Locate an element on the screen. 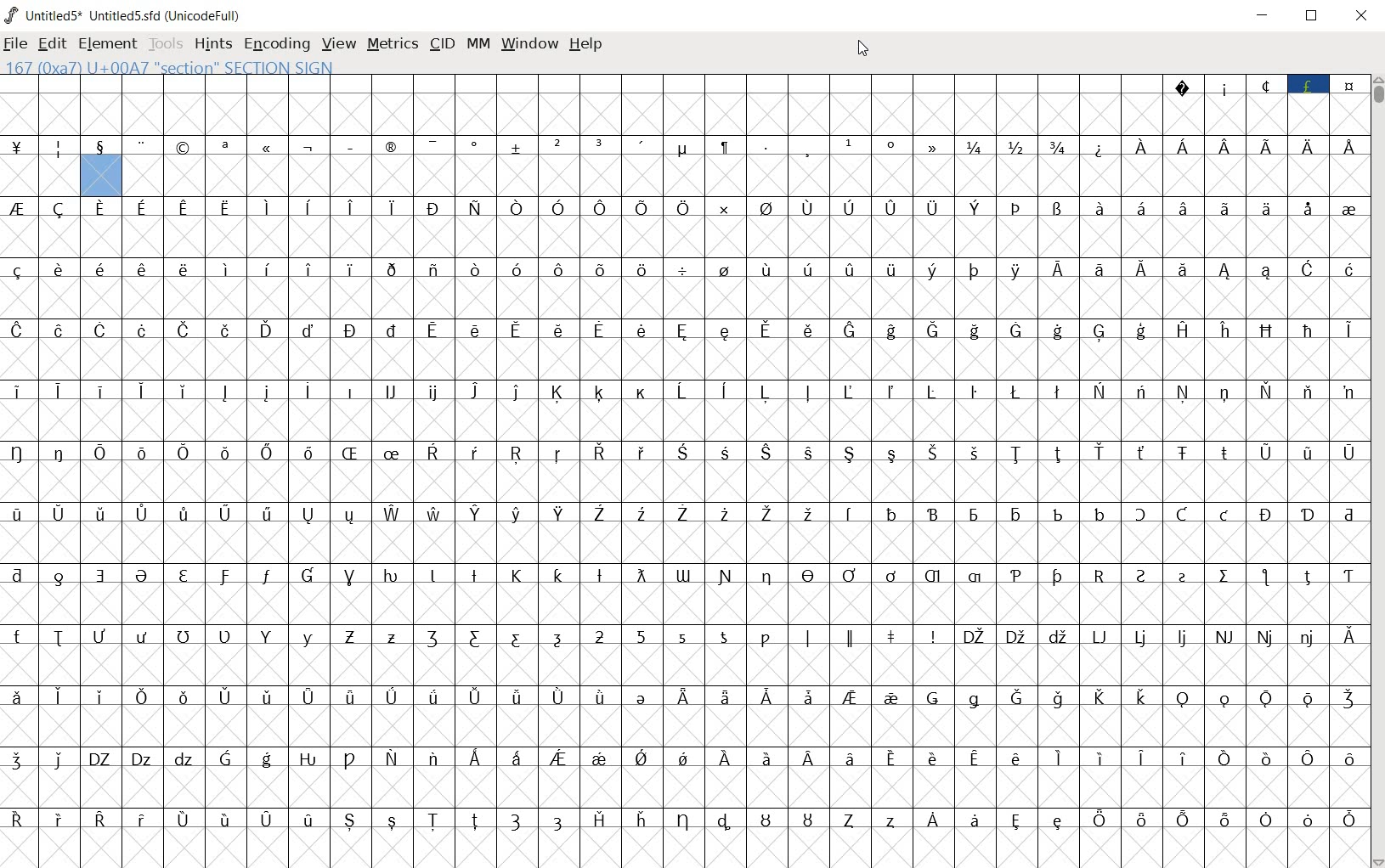  empty cells is located at coordinates (687, 359).